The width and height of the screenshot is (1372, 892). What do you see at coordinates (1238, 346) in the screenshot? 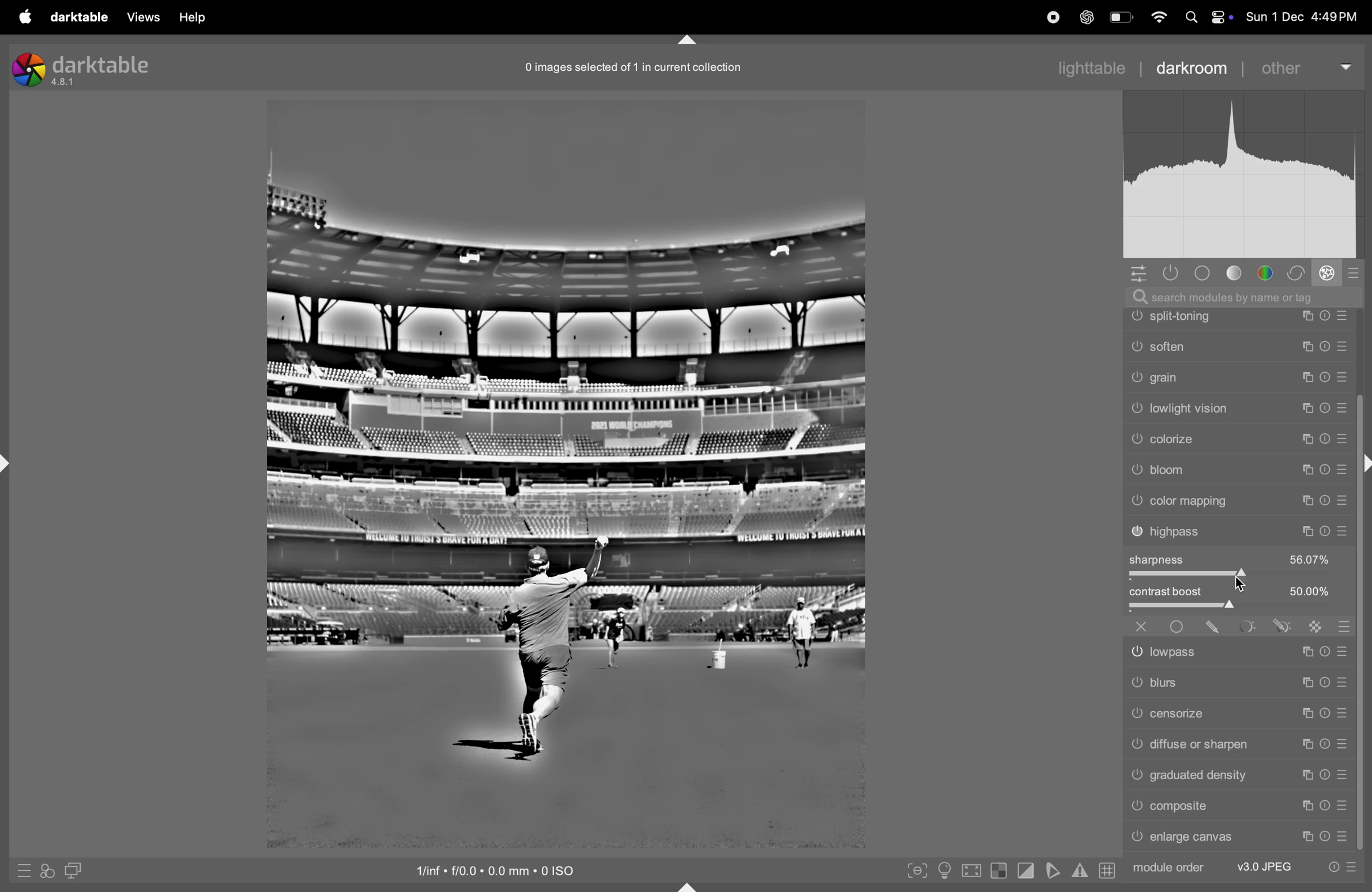
I see `farming` at bounding box center [1238, 346].